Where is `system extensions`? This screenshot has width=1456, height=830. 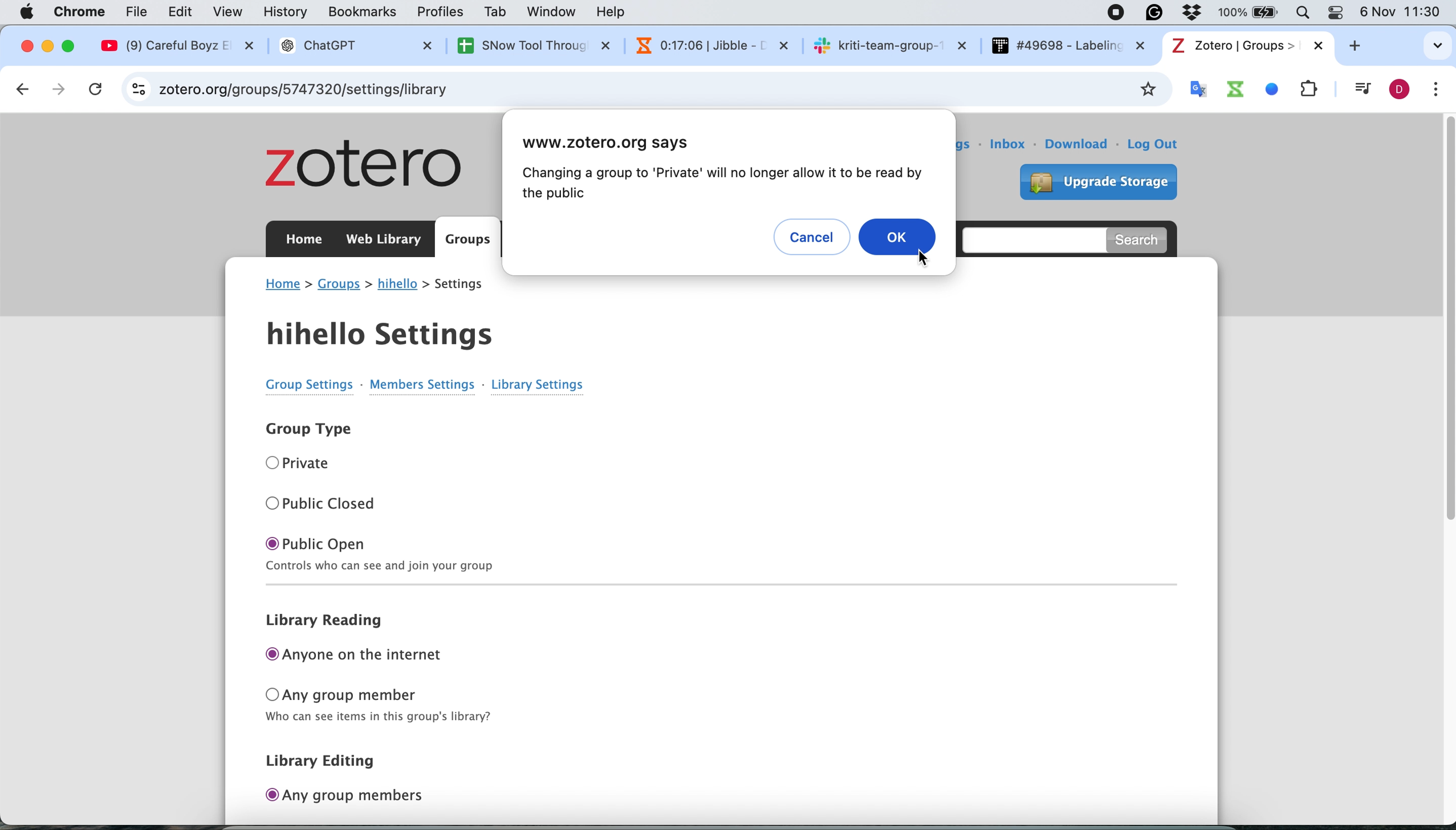
system extensions is located at coordinates (1260, 88).